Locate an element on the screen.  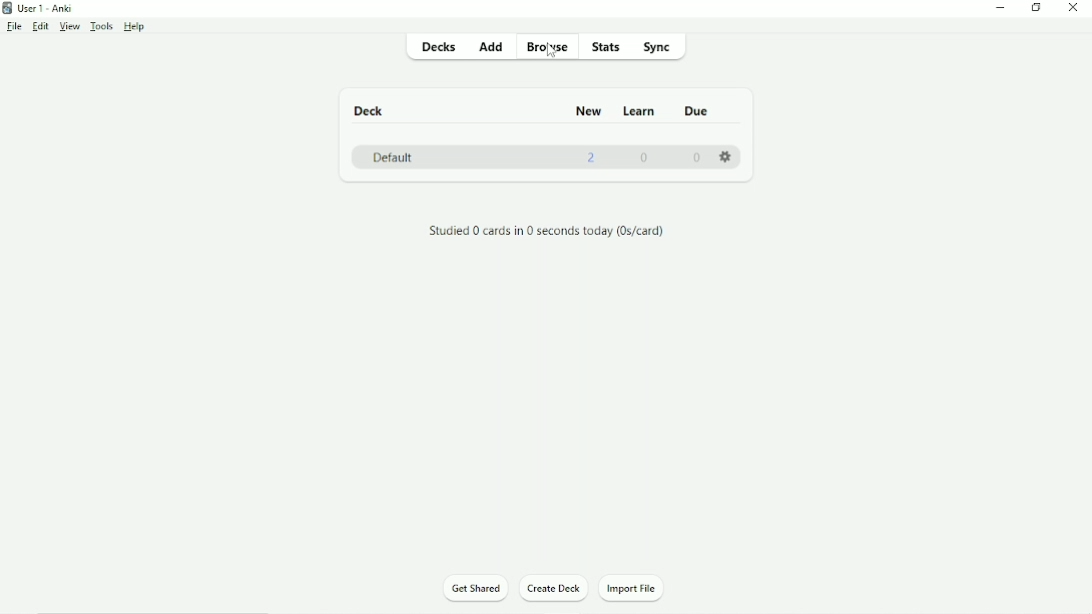
0 is located at coordinates (697, 158).